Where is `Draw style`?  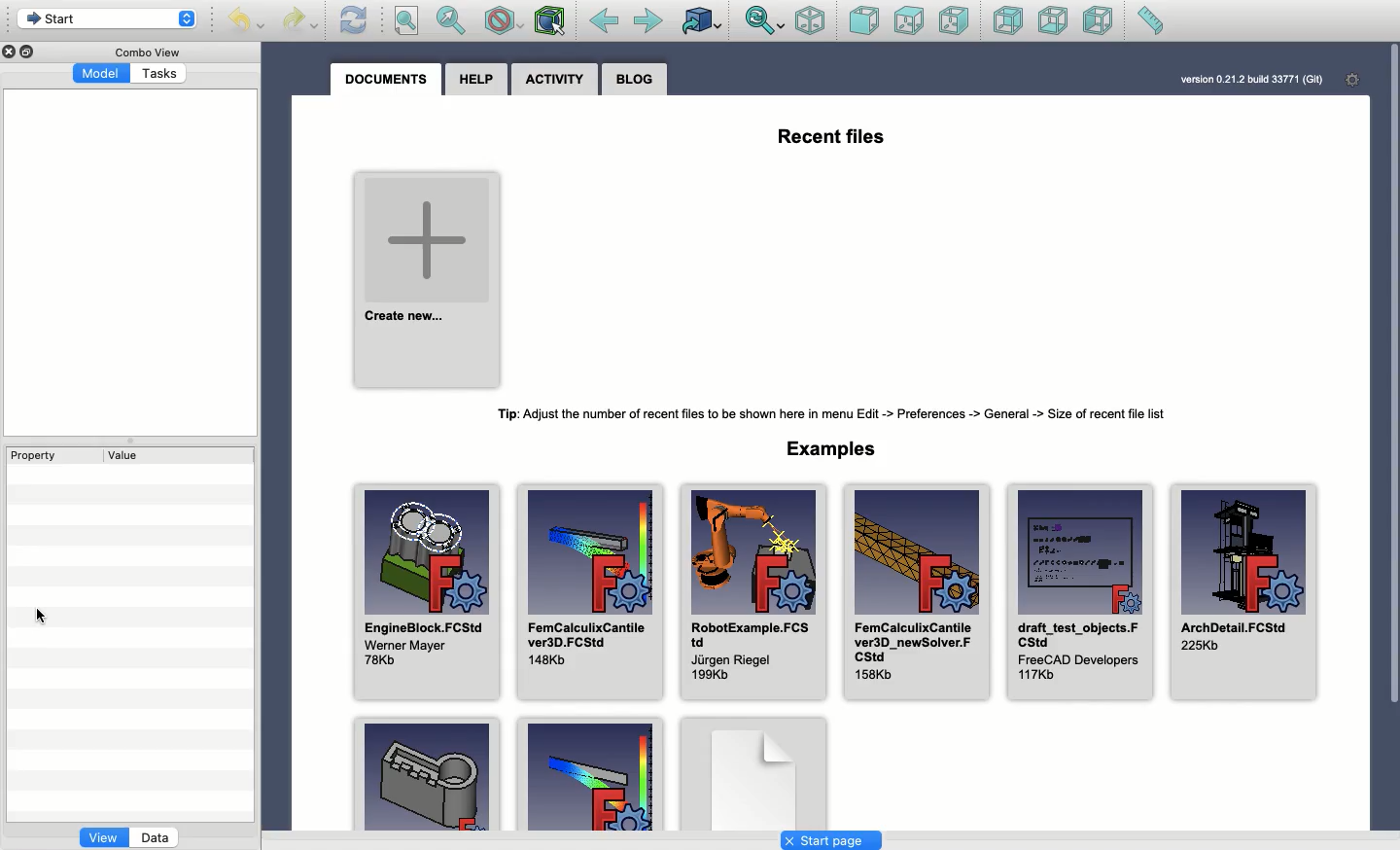 Draw style is located at coordinates (503, 22).